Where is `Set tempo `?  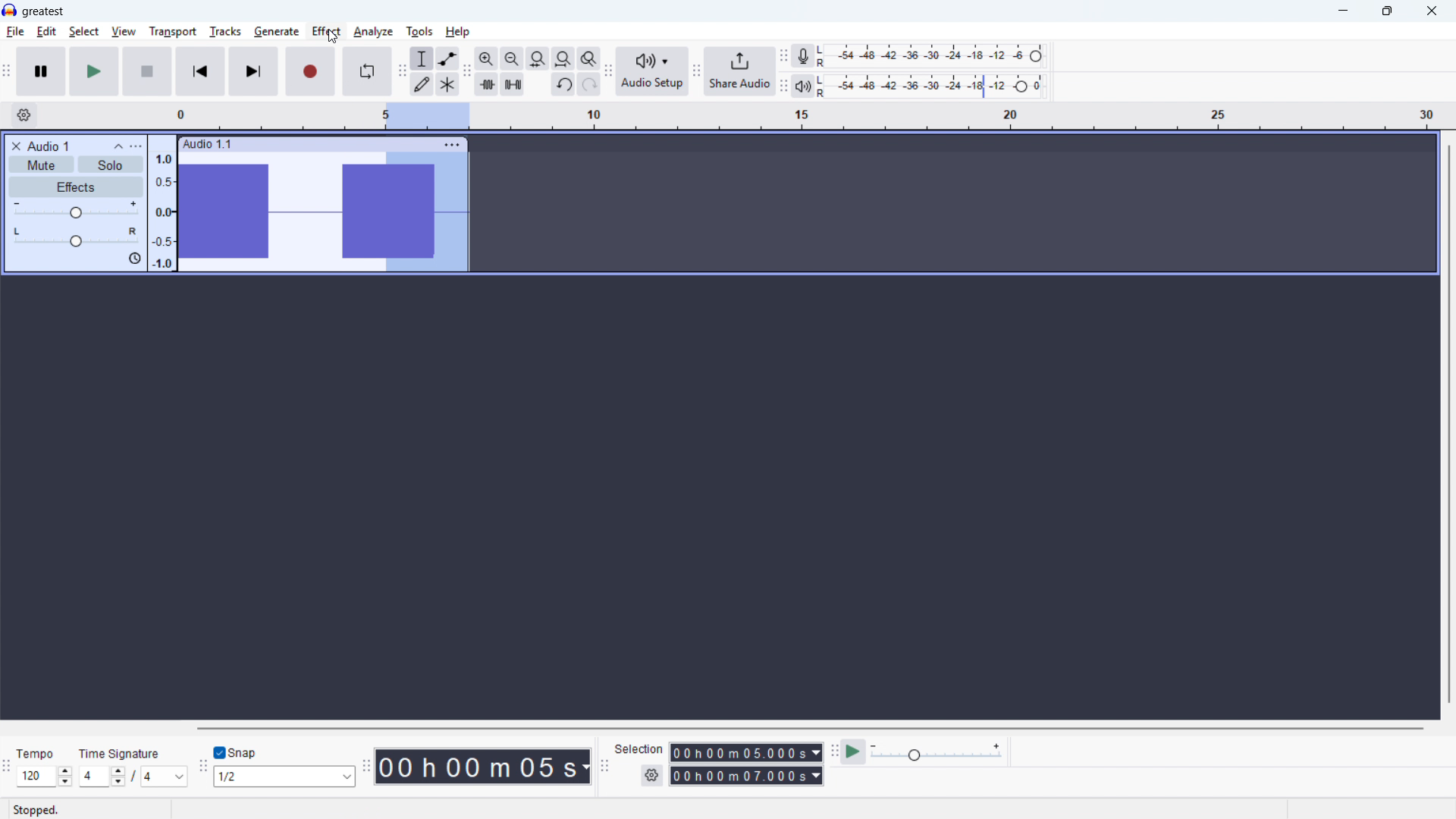
Set tempo  is located at coordinates (45, 776).